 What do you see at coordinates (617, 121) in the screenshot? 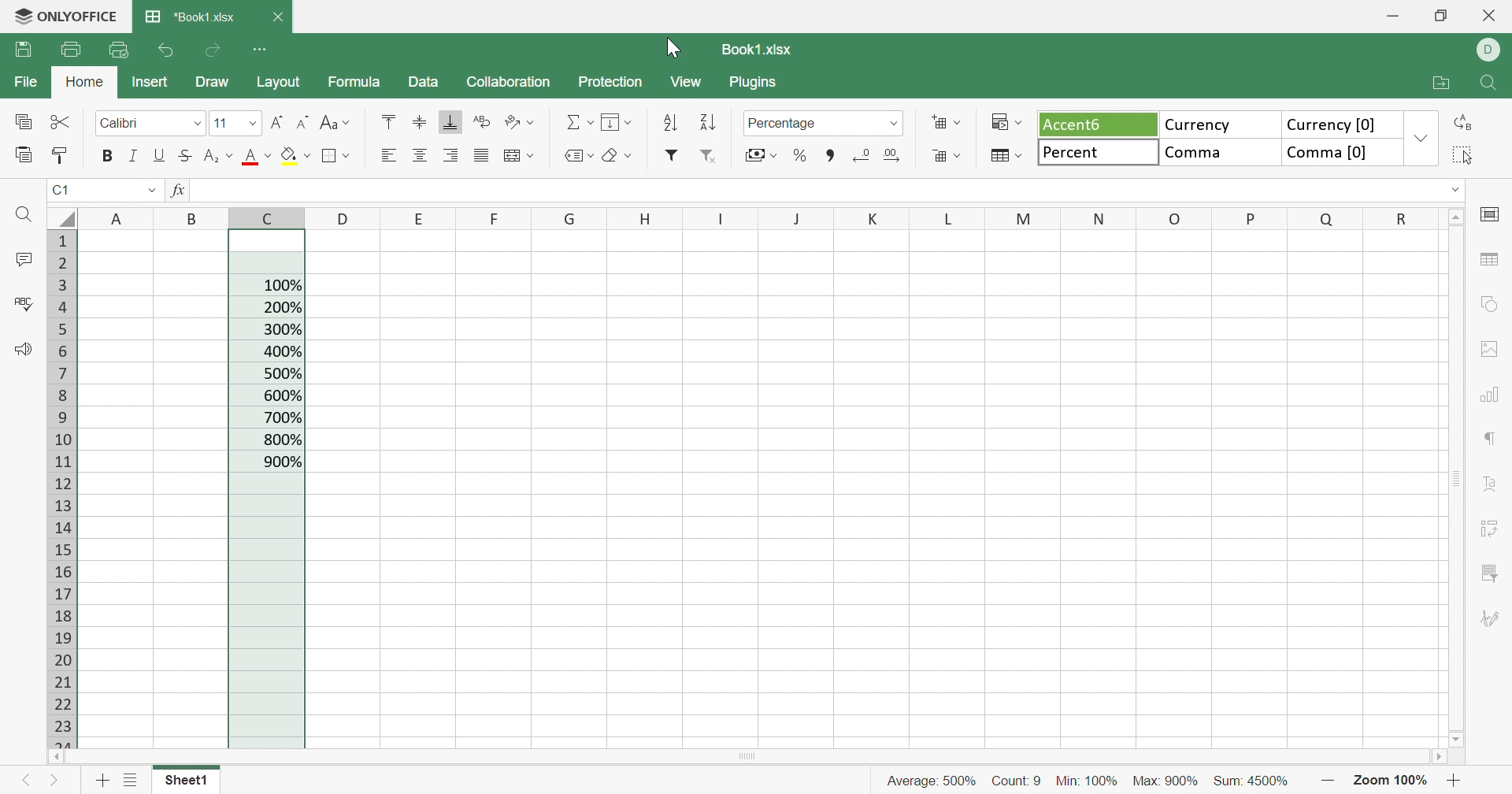
I see `Fill` at bounding box center [617, 121].